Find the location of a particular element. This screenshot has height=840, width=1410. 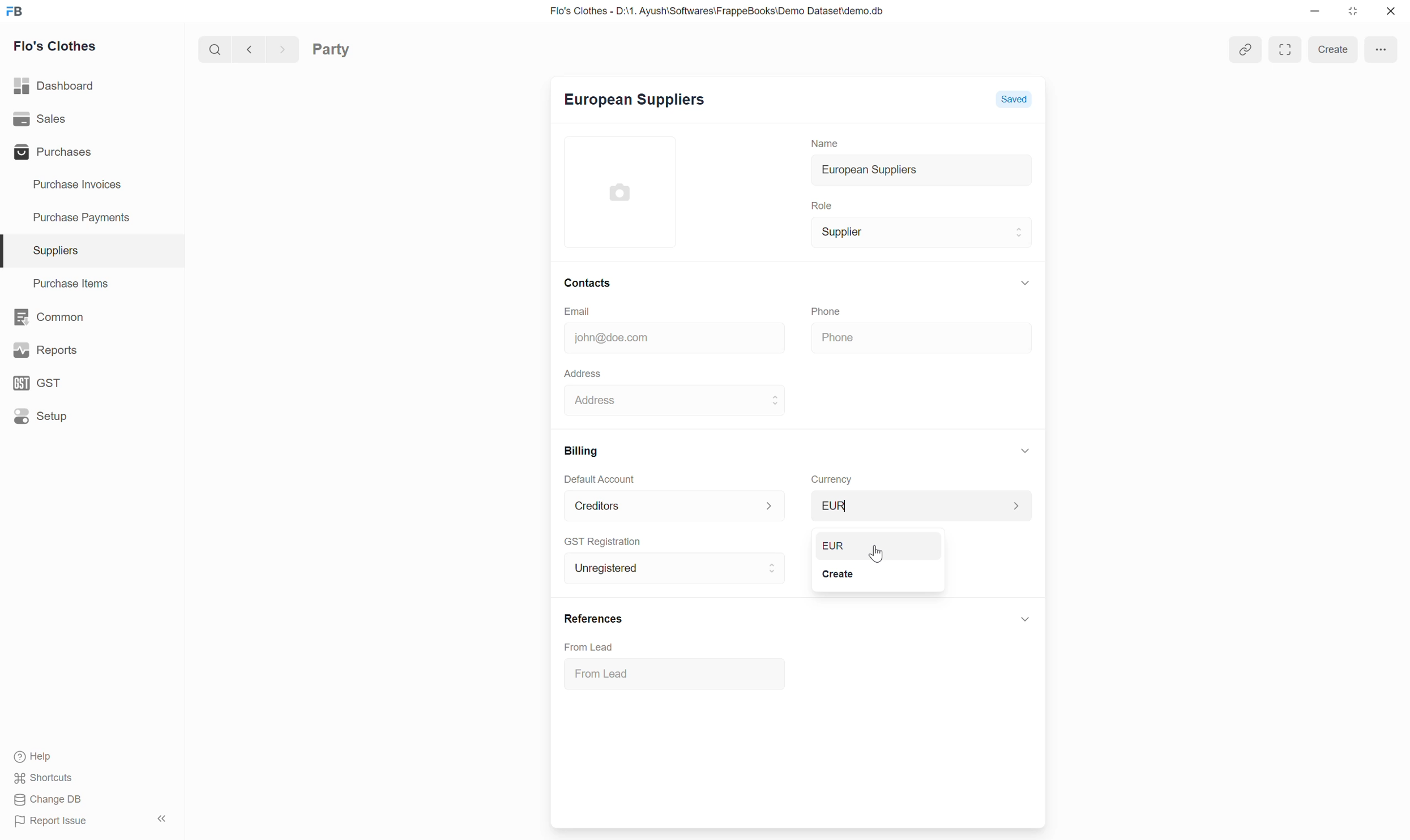

shortcuts is located at coordinates (42, 779).